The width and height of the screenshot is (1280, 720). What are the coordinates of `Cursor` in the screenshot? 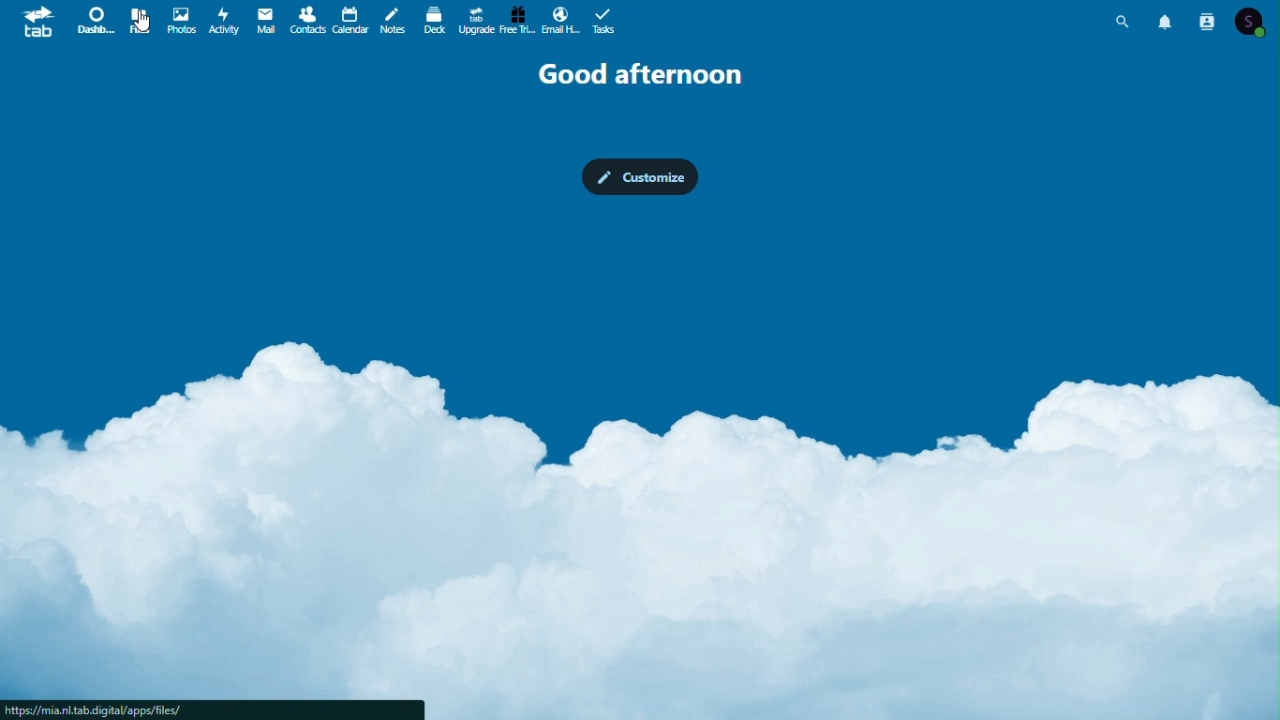 It's located at (142, 21).